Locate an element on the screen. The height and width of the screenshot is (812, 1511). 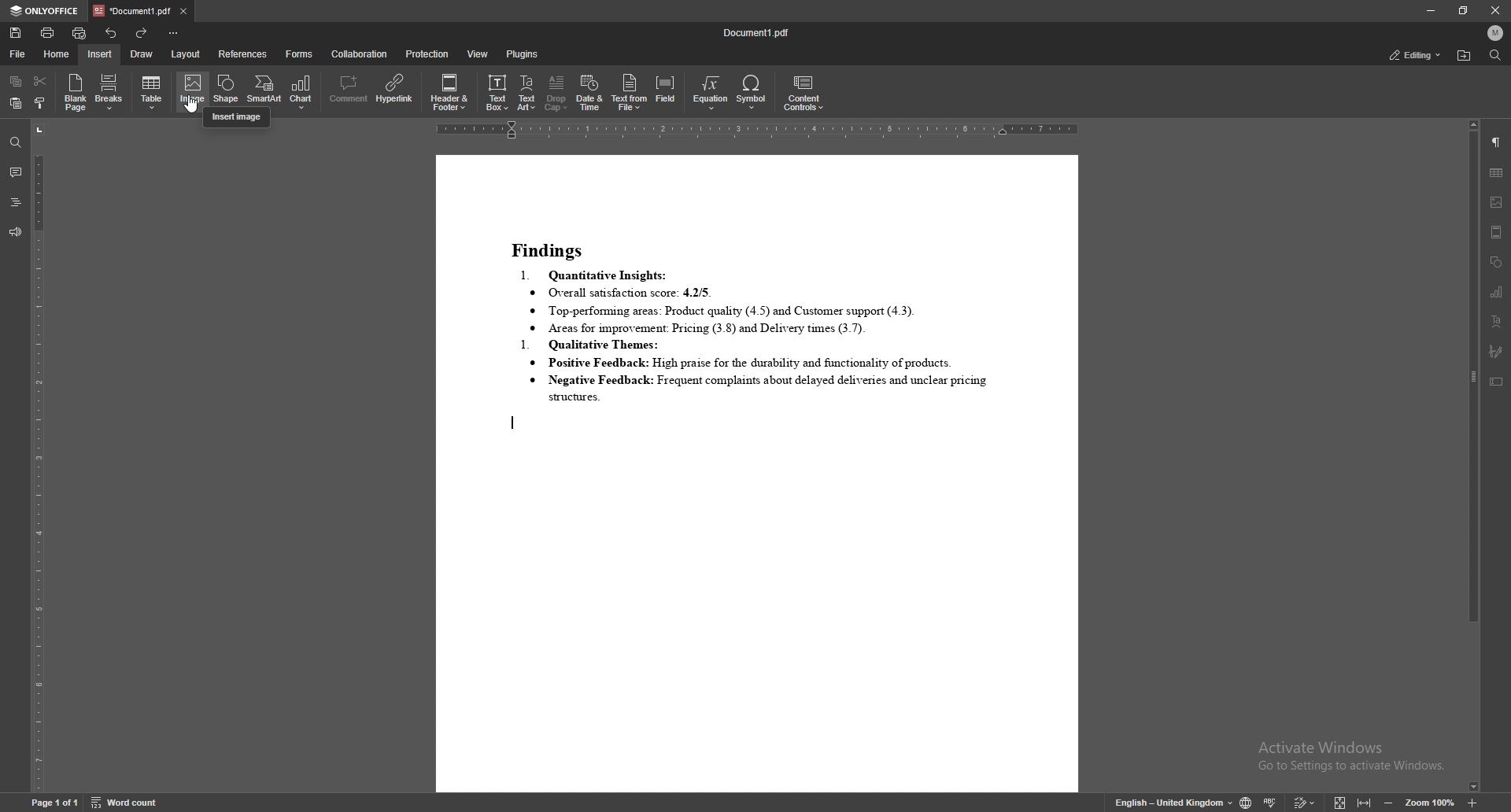
home is located at coordinates (57, 54).